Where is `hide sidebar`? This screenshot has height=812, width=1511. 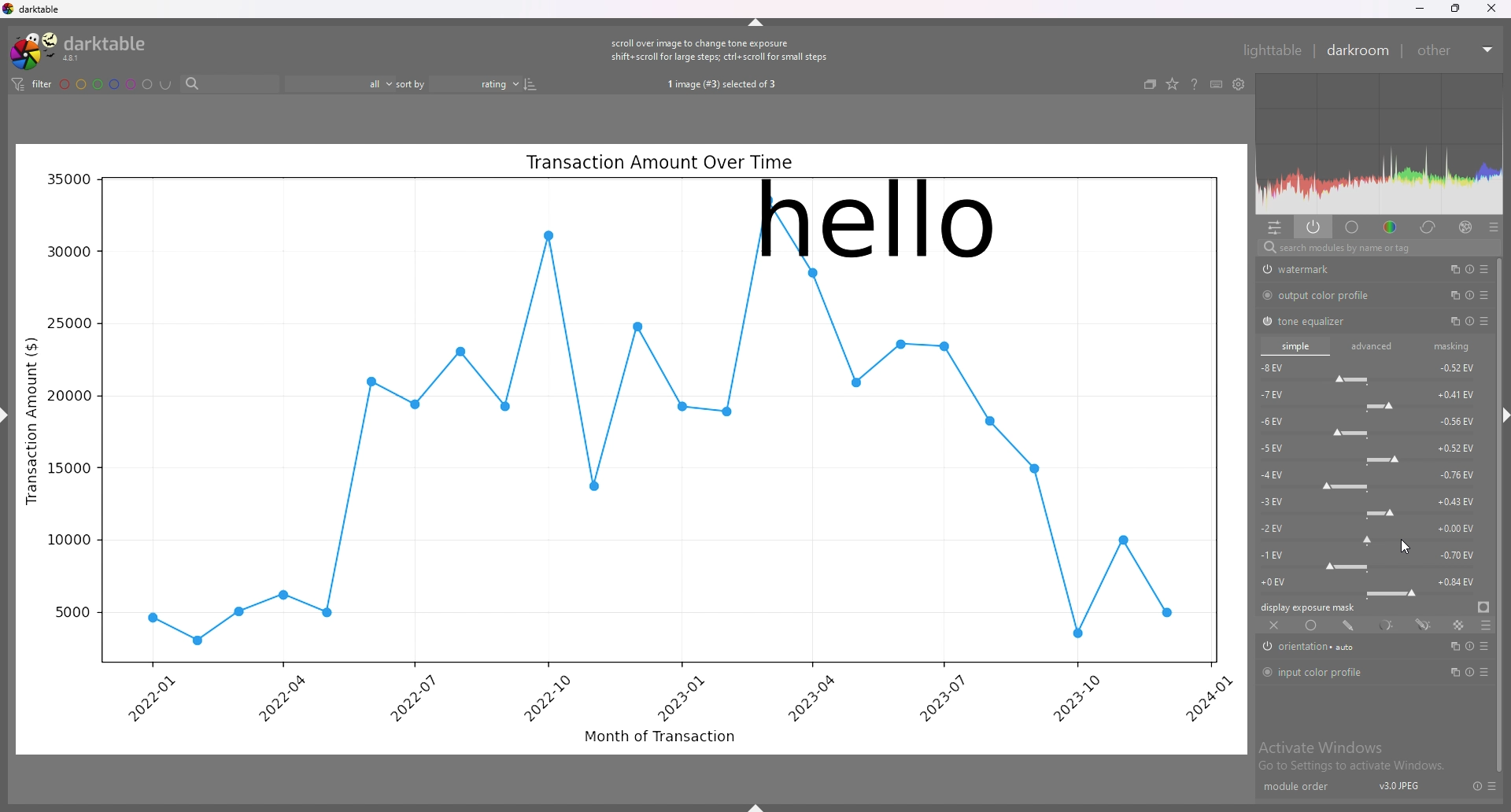
hide sidebar is located at coordinates (1506, 417).